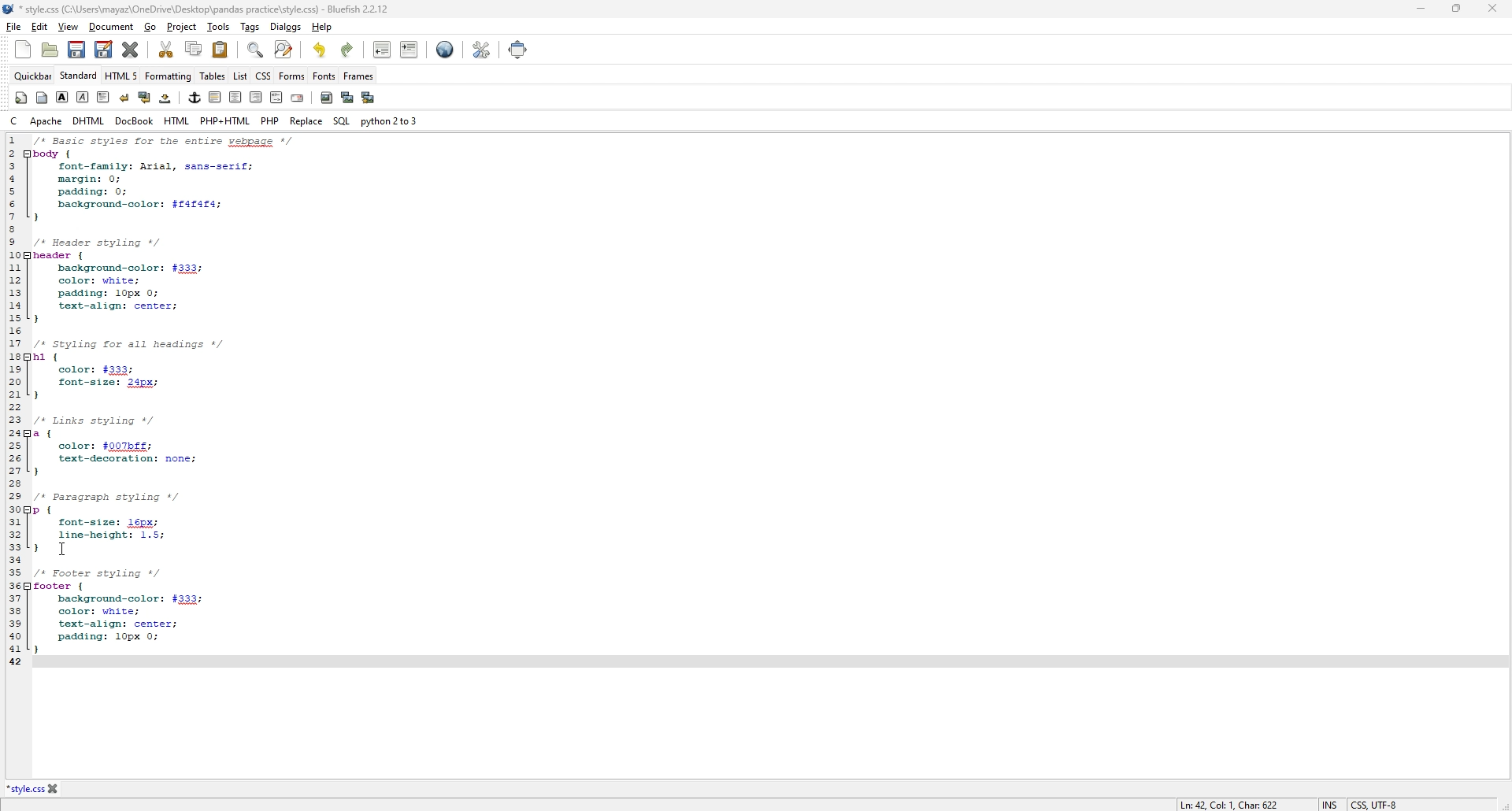 This screenshot has width=1512, height=811. I want to click on full screen, so click(517, 50).